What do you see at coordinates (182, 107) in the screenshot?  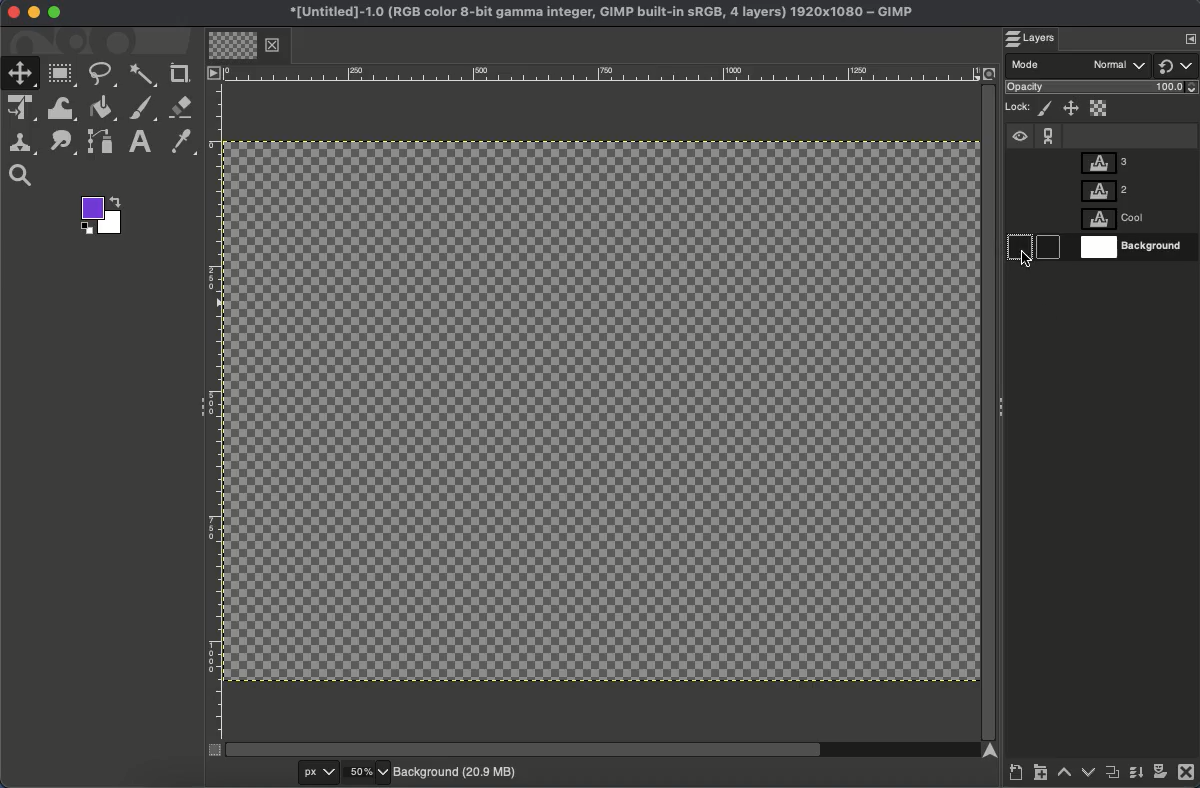 I see `Eraser` at bounding box center [182, 107].